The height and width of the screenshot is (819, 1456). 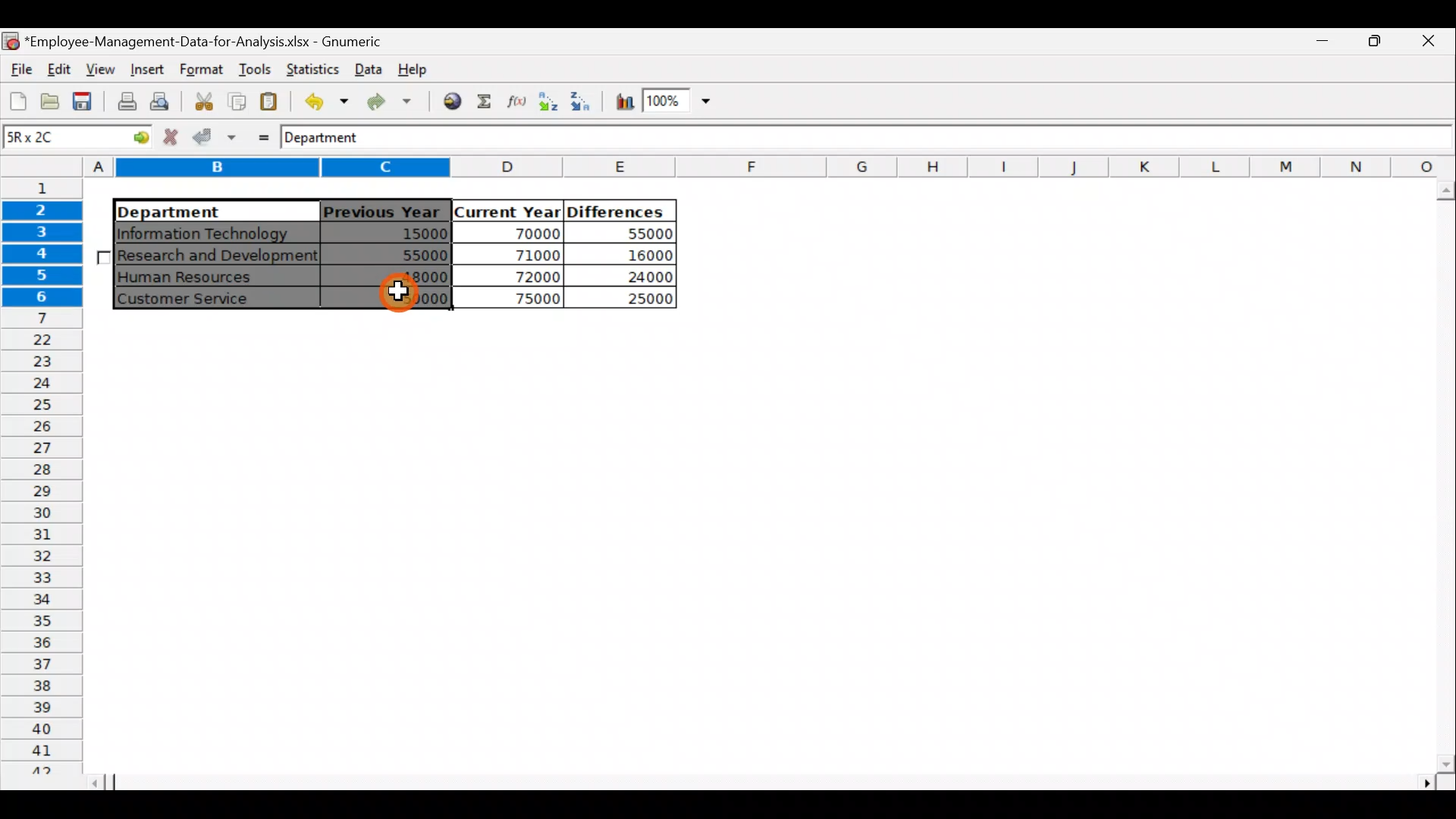 I want to click on Print preview, so click(x=163, y=101).